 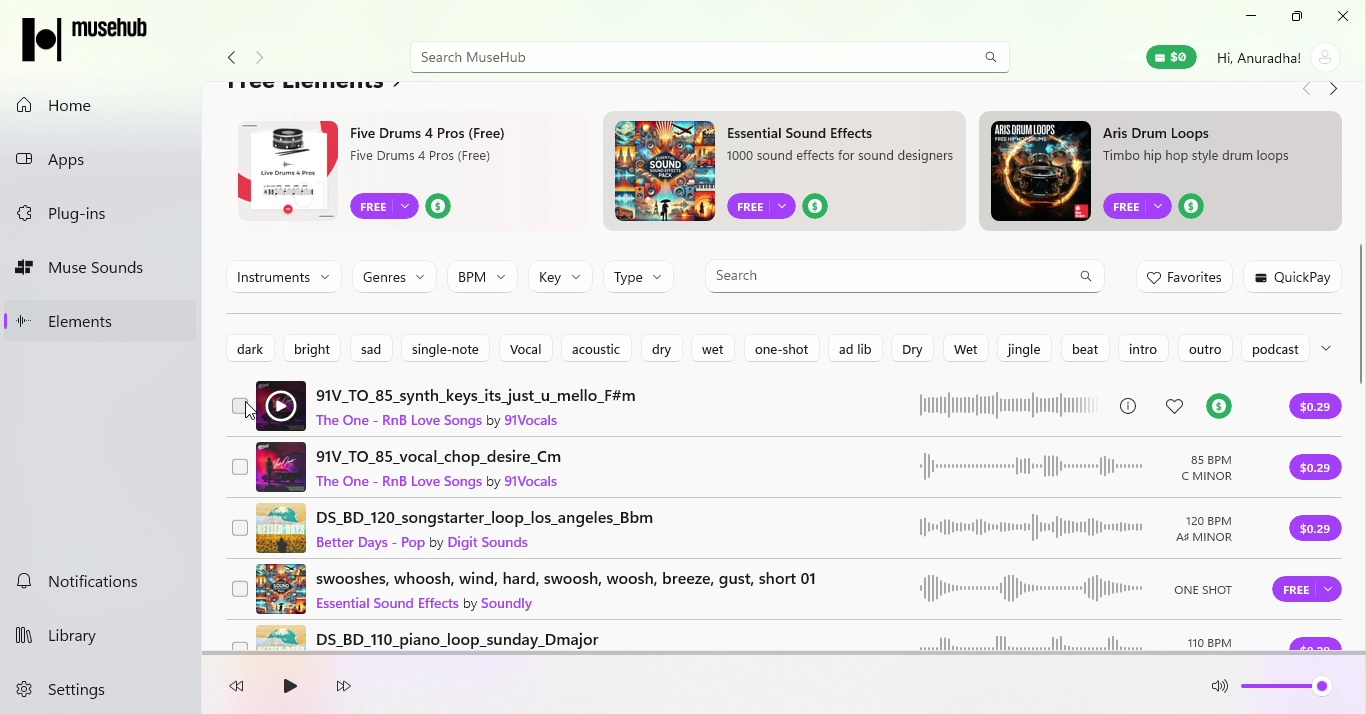 I want to click on Bright, so click(x=306, y=346).